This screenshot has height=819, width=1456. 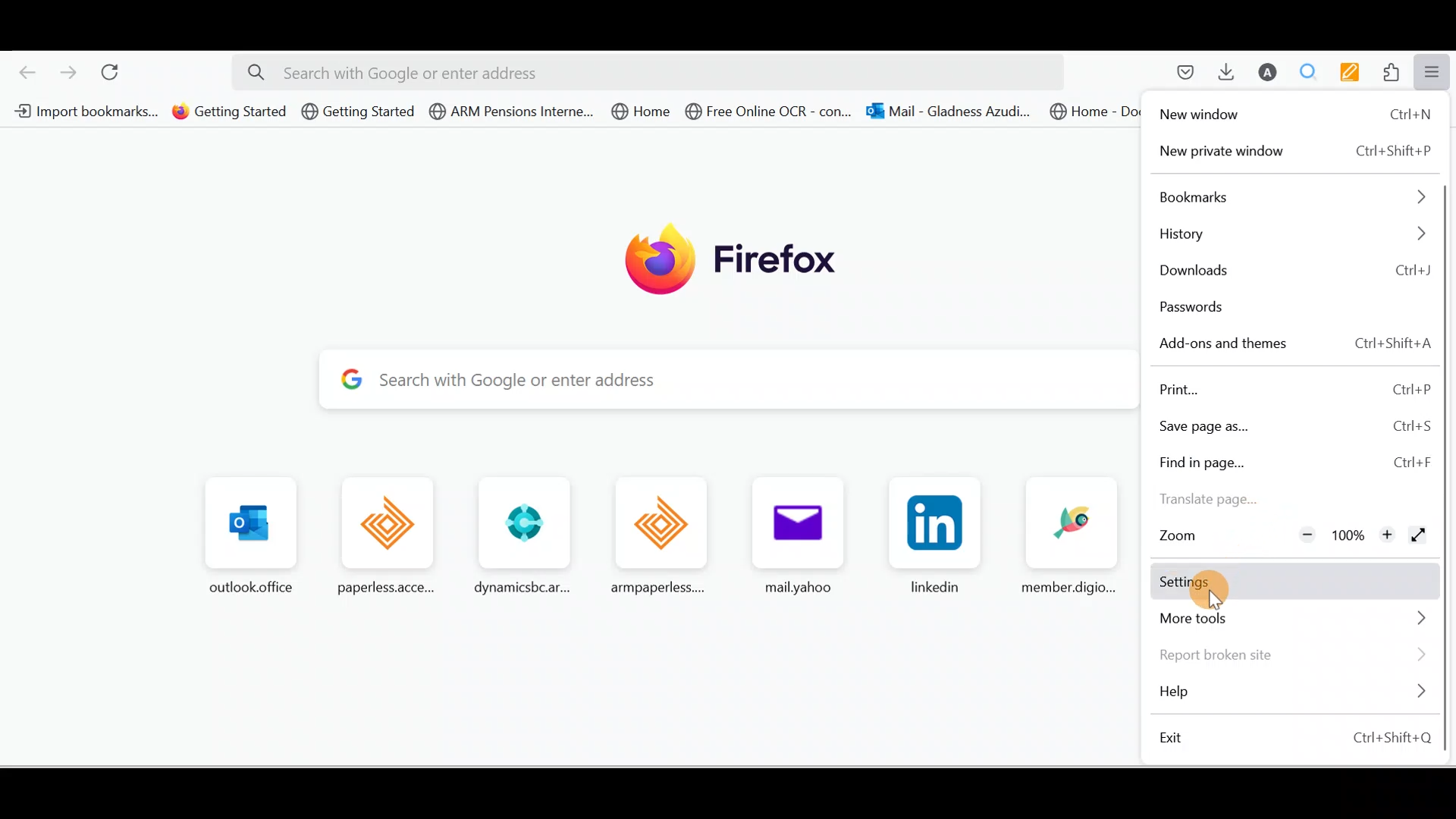 I want to click on Save page as  Ctrl+S, so click(x=1298, y=423).